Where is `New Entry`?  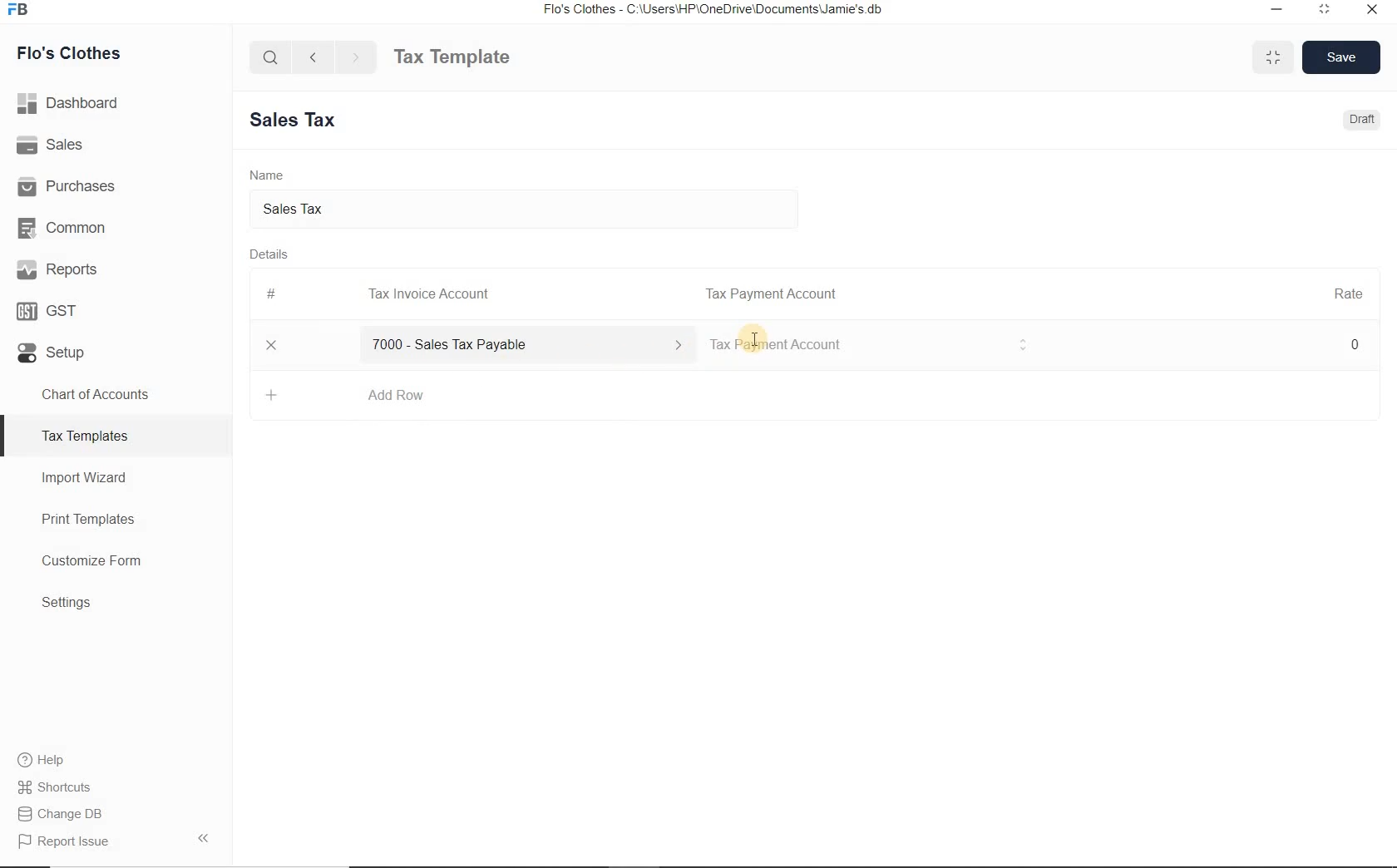 New Entry is located at coordinates (299, 121).